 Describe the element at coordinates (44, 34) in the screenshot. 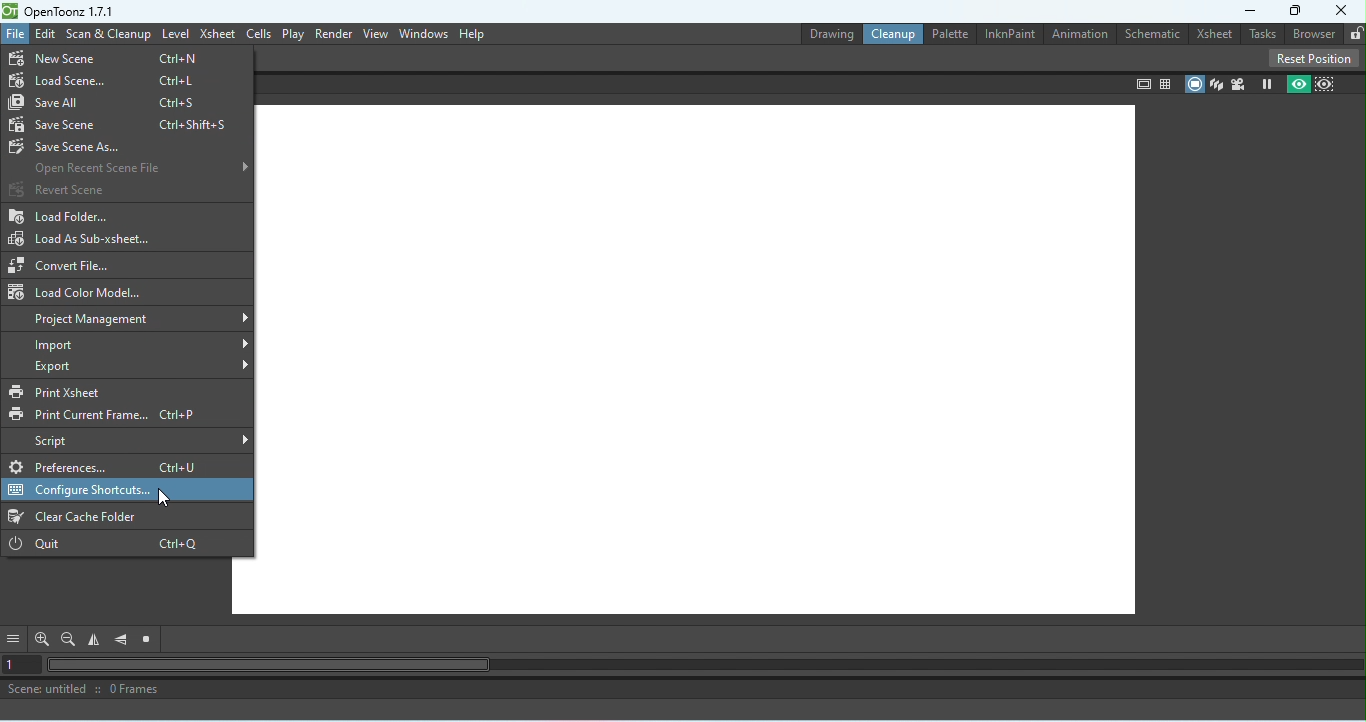

I see `Edit` at that location.